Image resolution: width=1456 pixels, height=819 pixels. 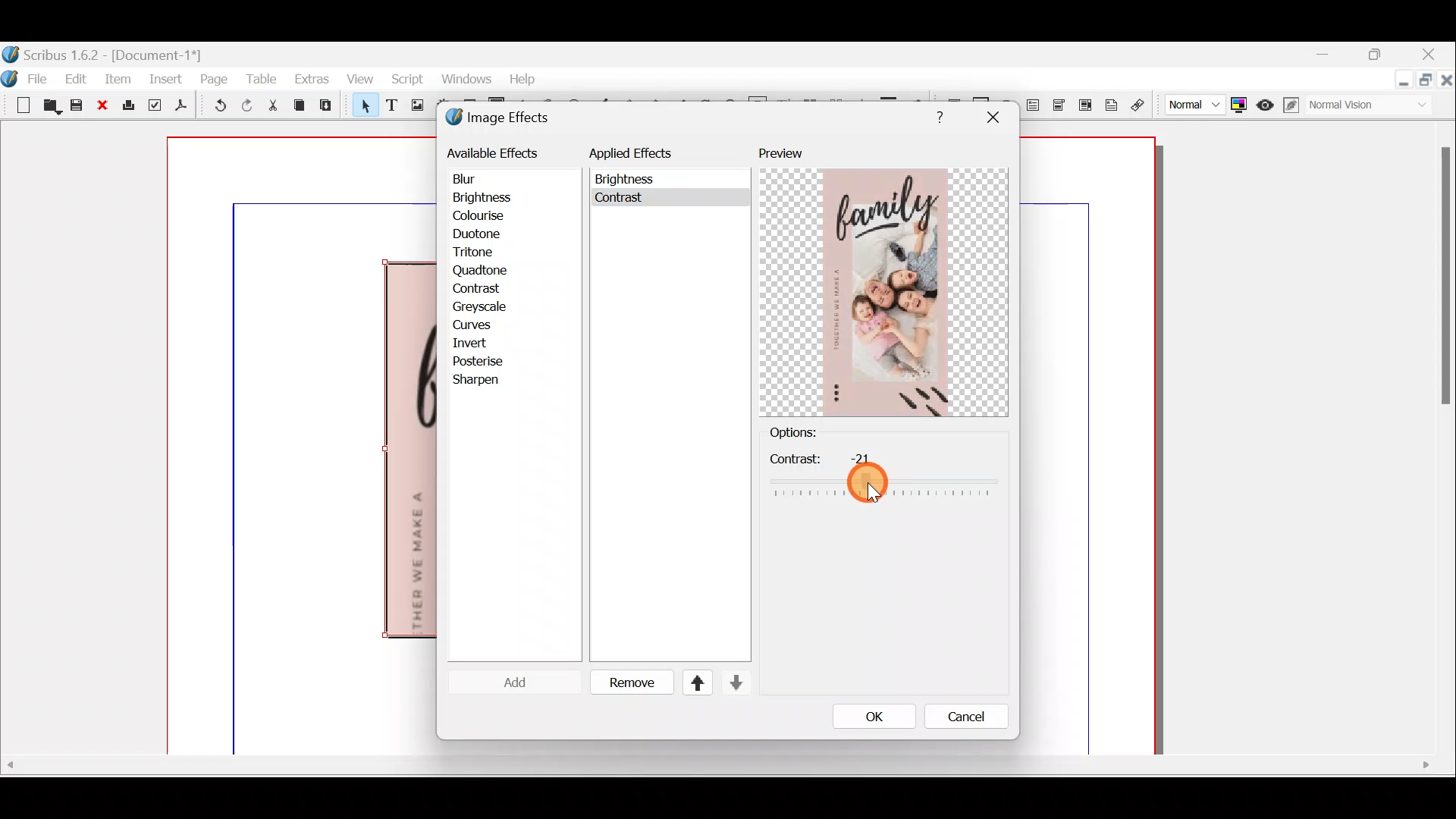 I want to click on Blur, so click(x=479, y=180).